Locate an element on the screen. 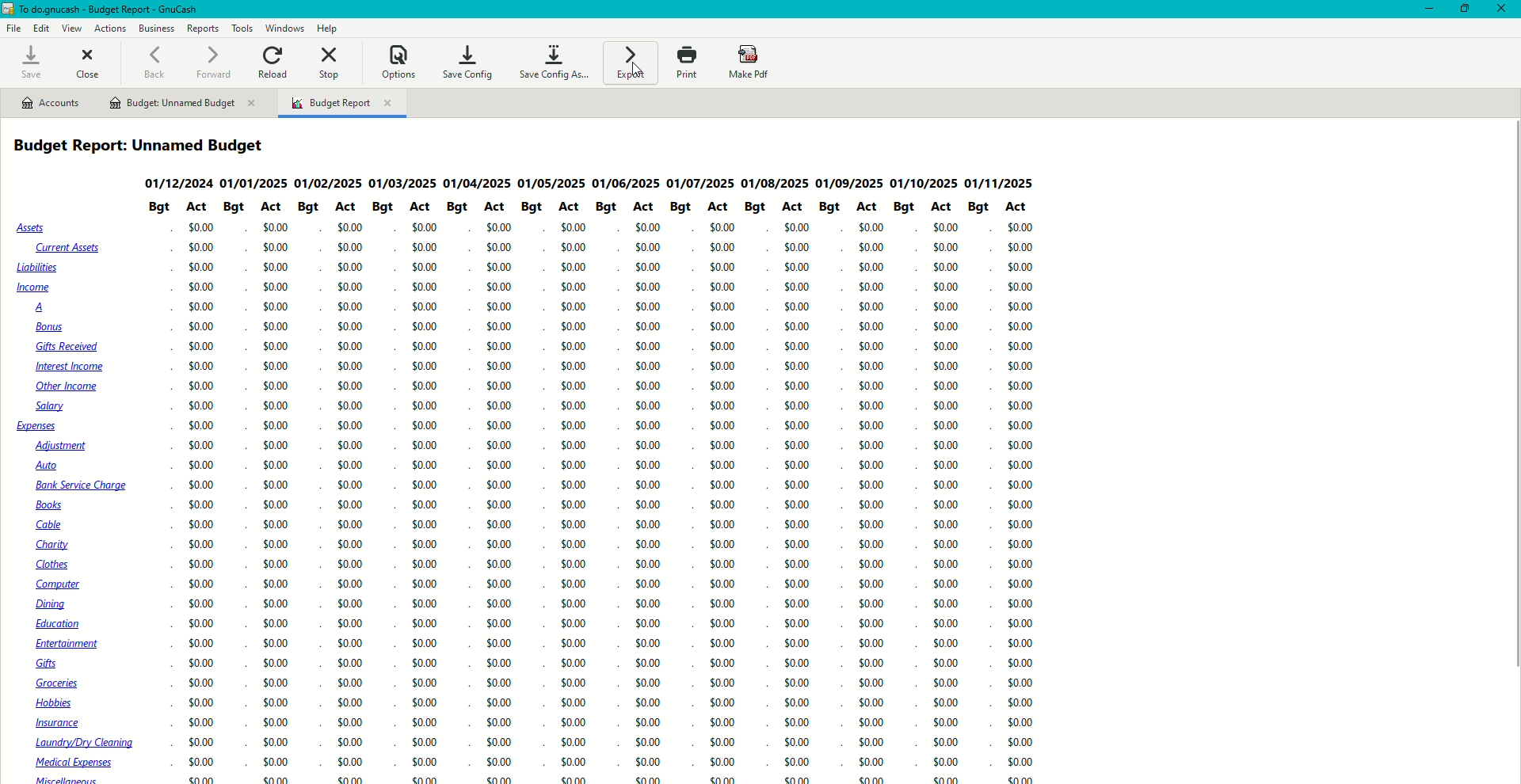 This screenshot has width=1521, height=784. 0.00 is located at coordinates (279, 407).